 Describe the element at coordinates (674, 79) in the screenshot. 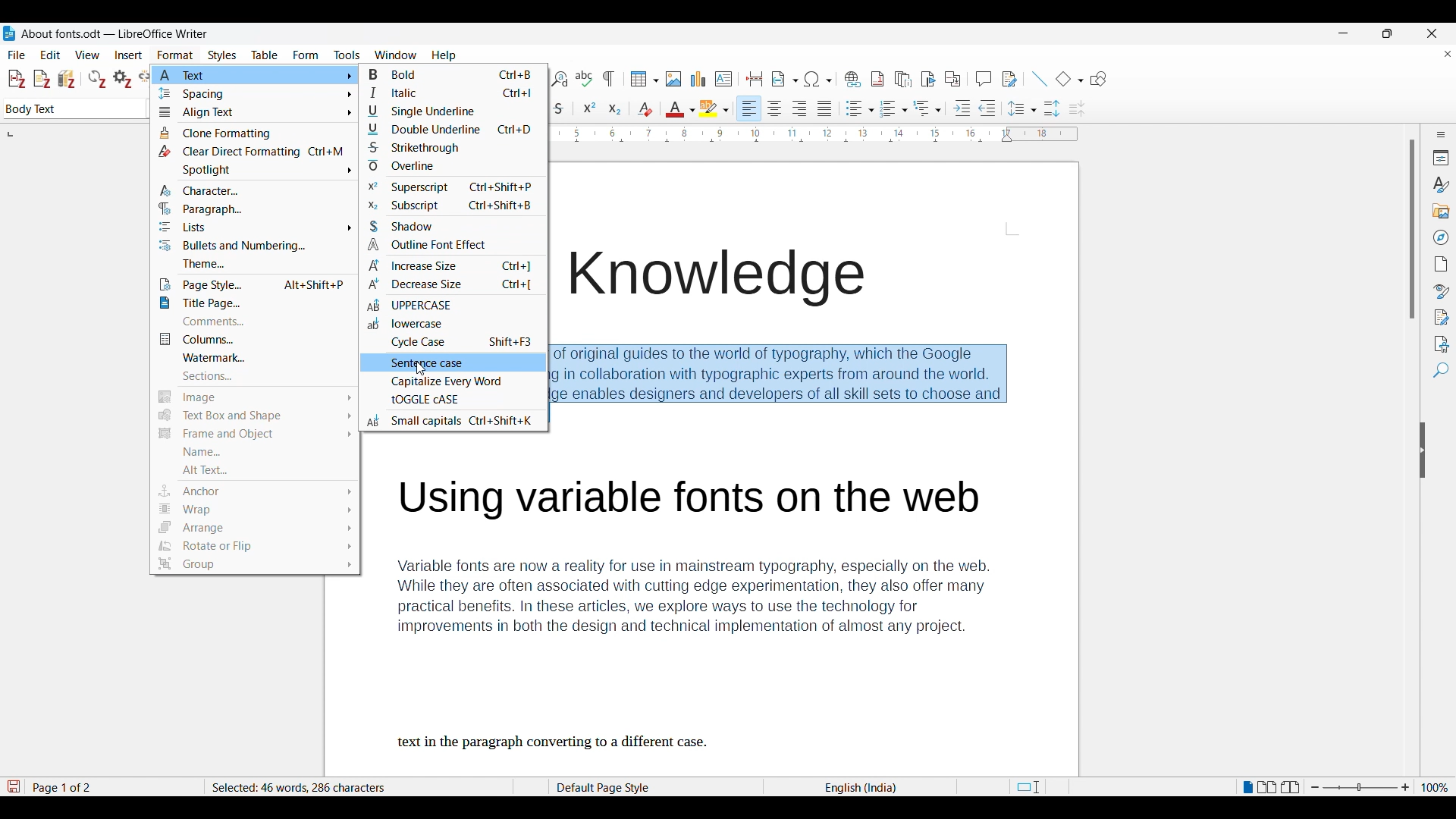

I see `Insert image` at that location.